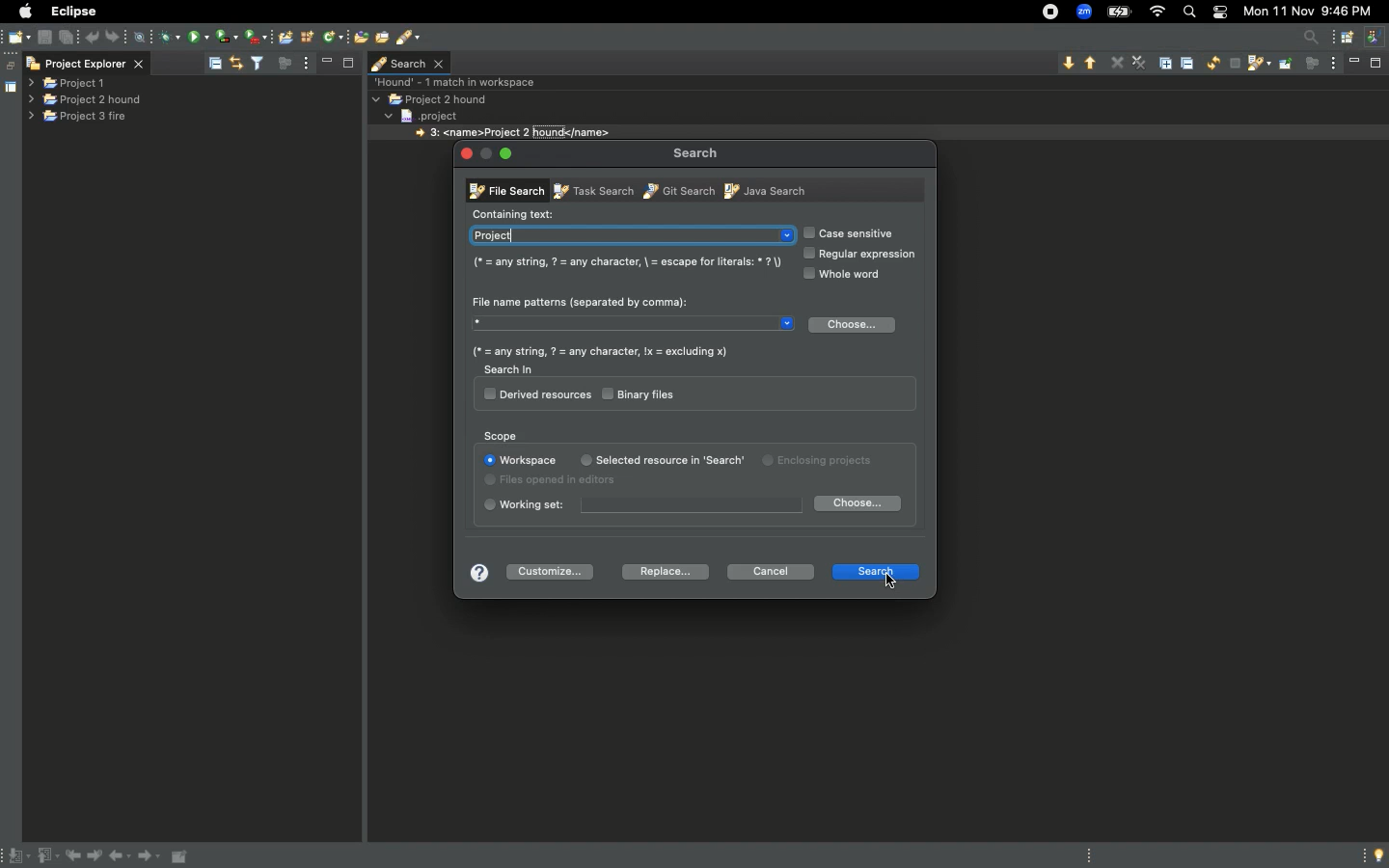  Describe the element at coordinates (640, 459) in the screenshot. I see `Selected resources` at that location.